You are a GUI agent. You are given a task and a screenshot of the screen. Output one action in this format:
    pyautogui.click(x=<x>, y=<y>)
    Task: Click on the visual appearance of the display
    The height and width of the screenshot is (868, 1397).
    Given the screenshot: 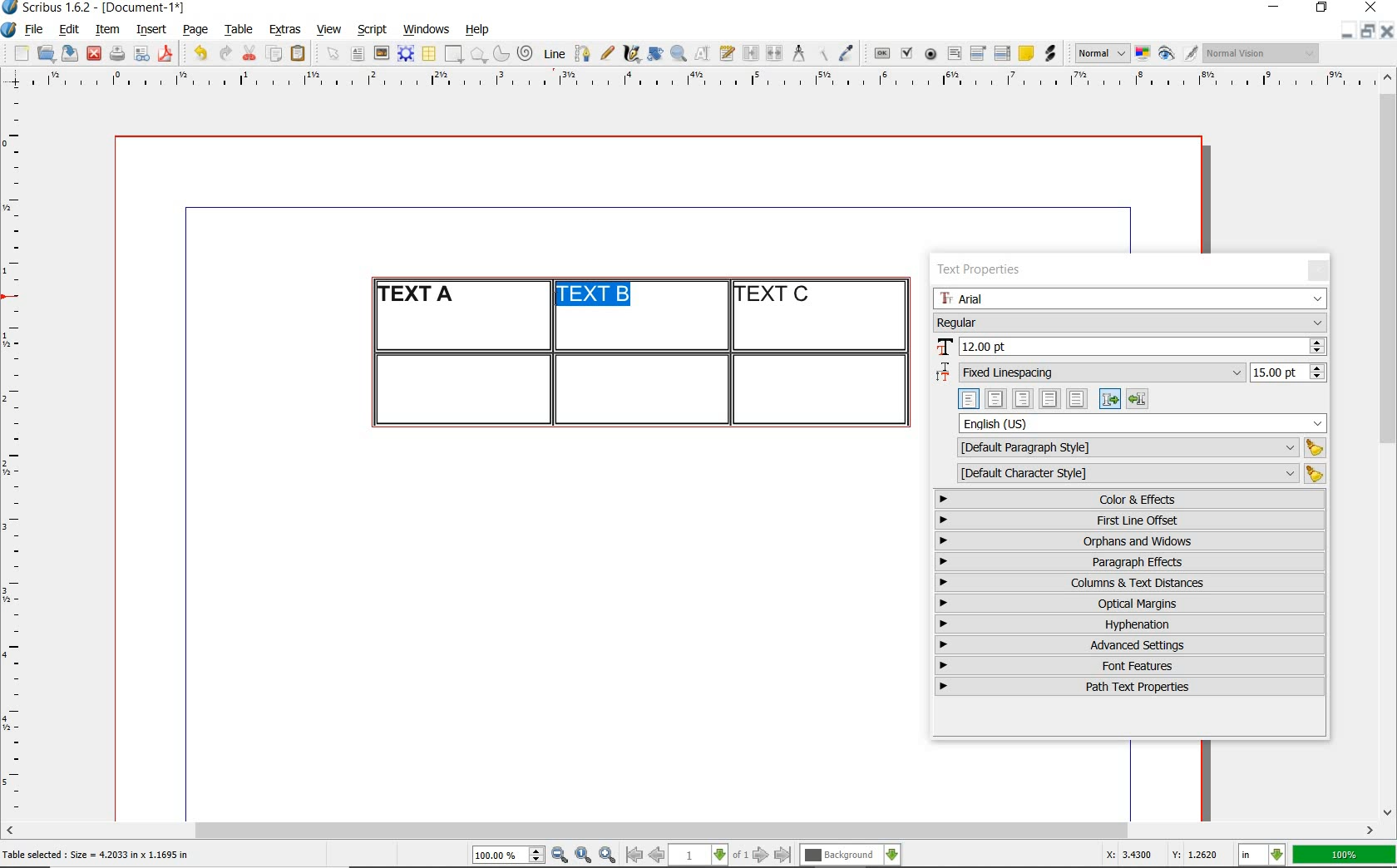 What is the action you would take?
    pyautogui.click(x=1262, y=53)
    